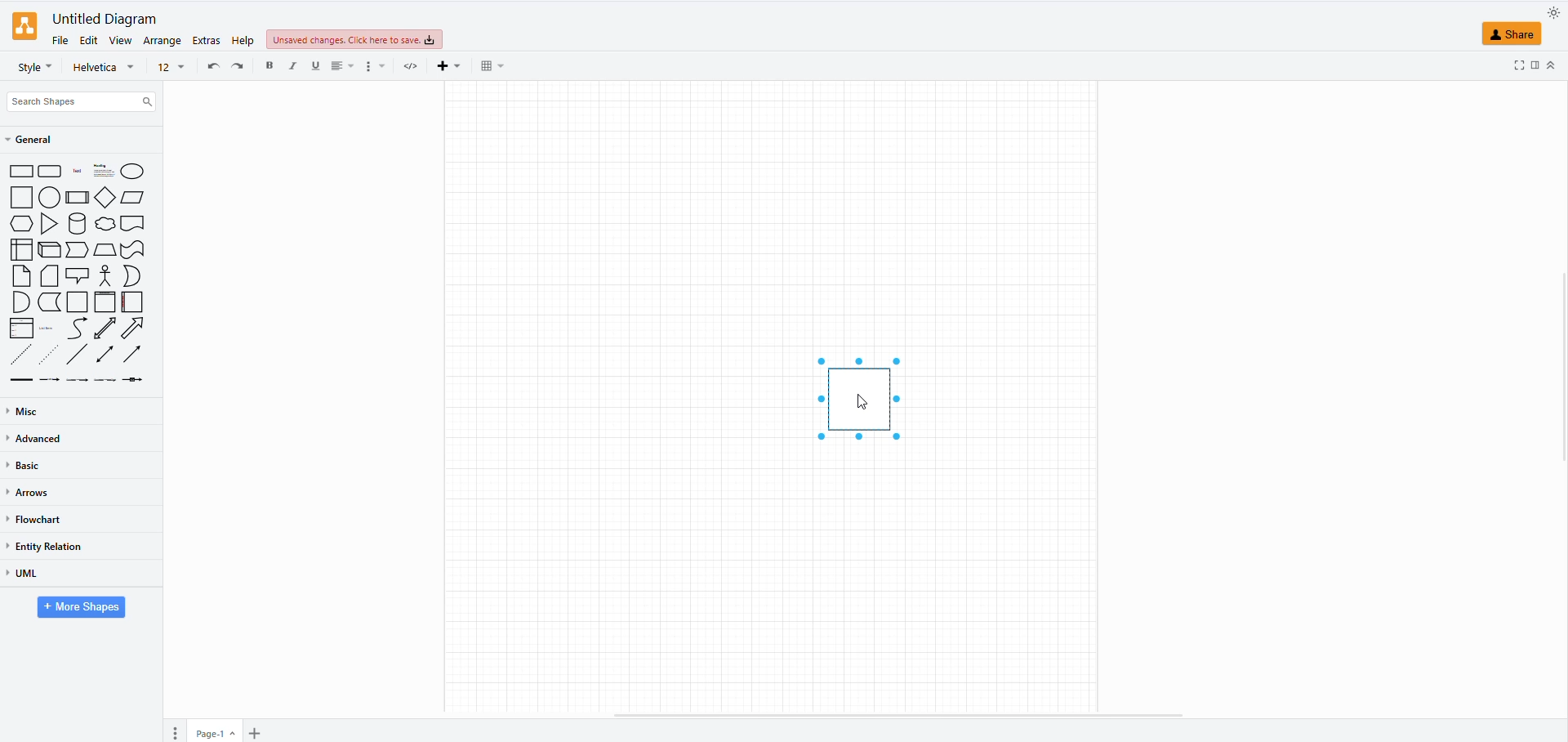 Image resolution: width=1568 pixels, height=742 pixels. I want to click on data storage, so click(51, 302).